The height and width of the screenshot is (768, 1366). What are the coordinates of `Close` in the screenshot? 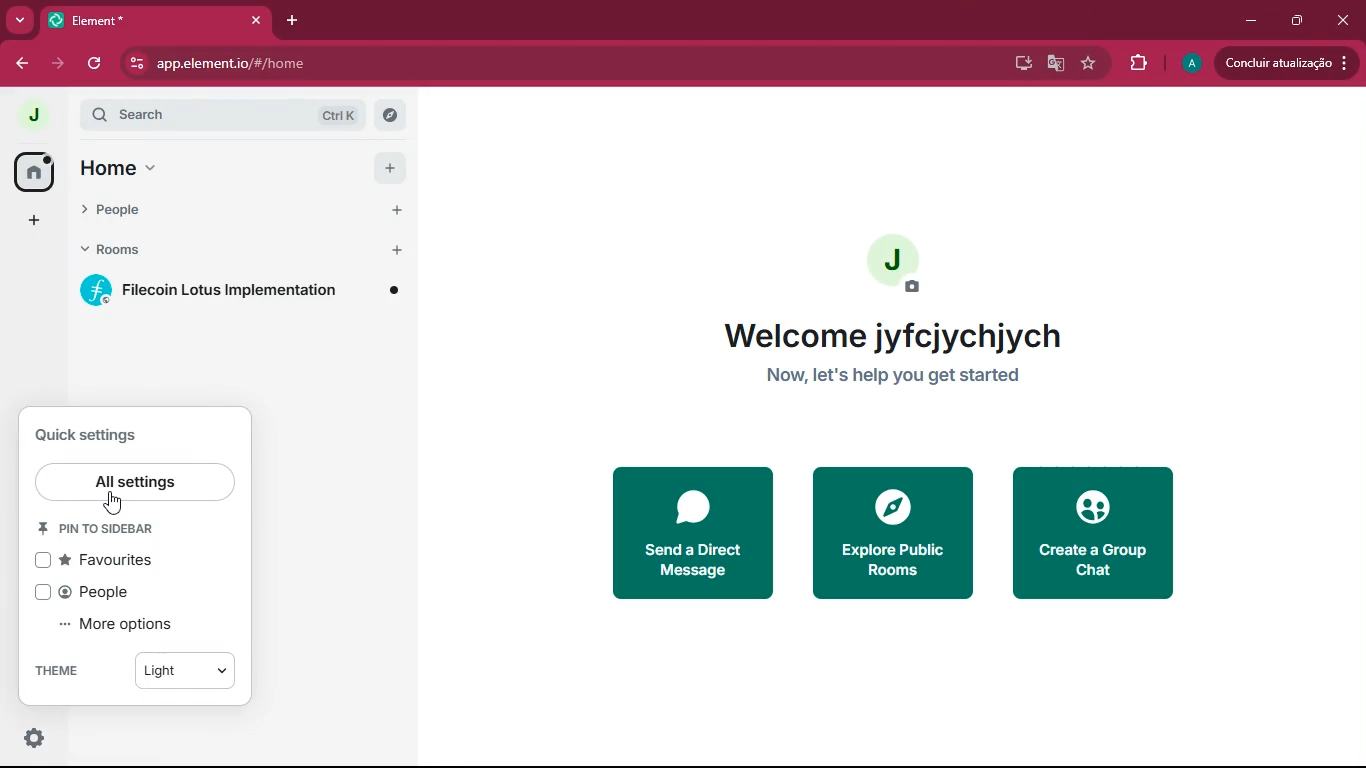 It's located at (254, 21).